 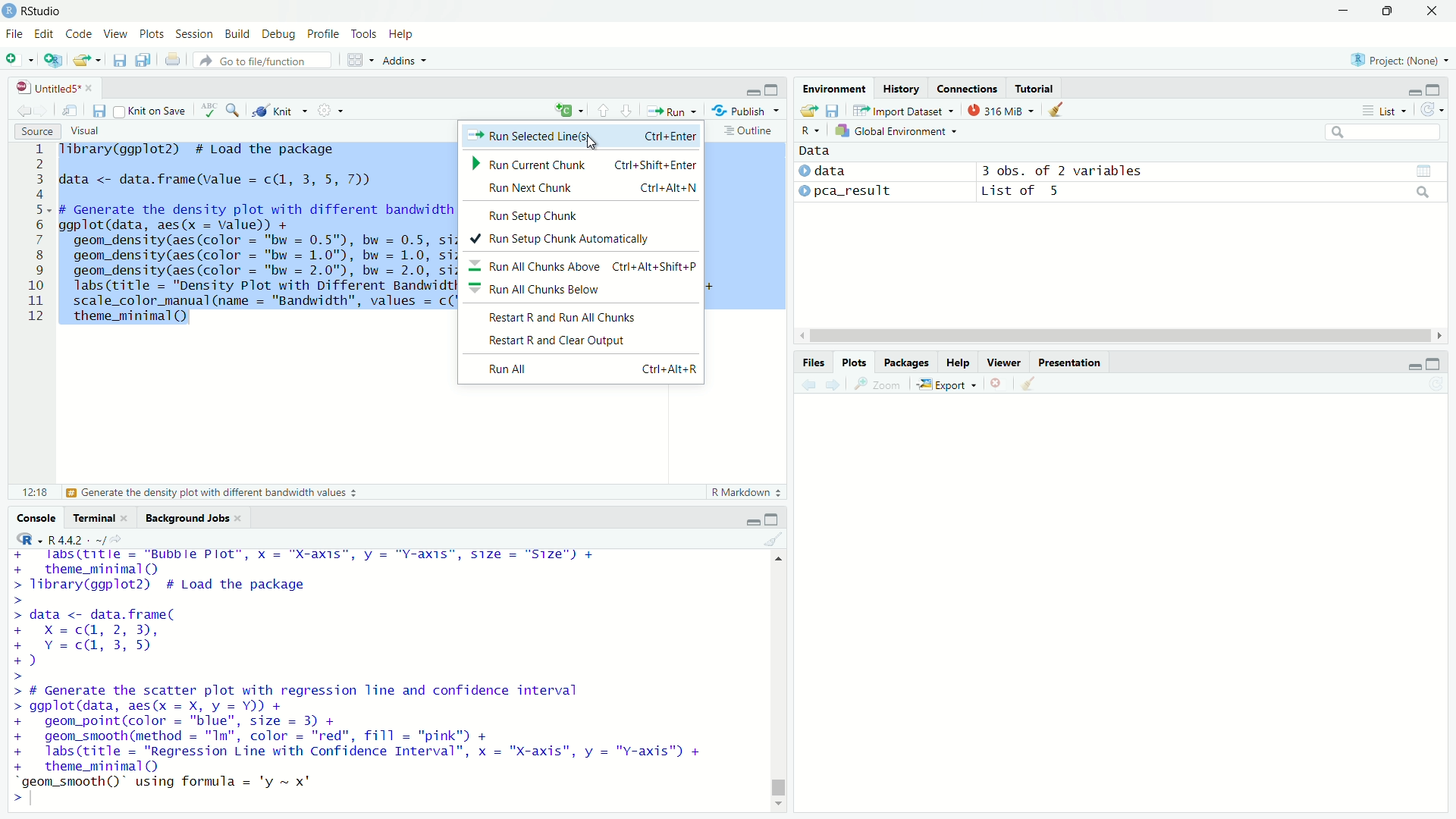 I want to click on minimize, so click(x=751, y=89).